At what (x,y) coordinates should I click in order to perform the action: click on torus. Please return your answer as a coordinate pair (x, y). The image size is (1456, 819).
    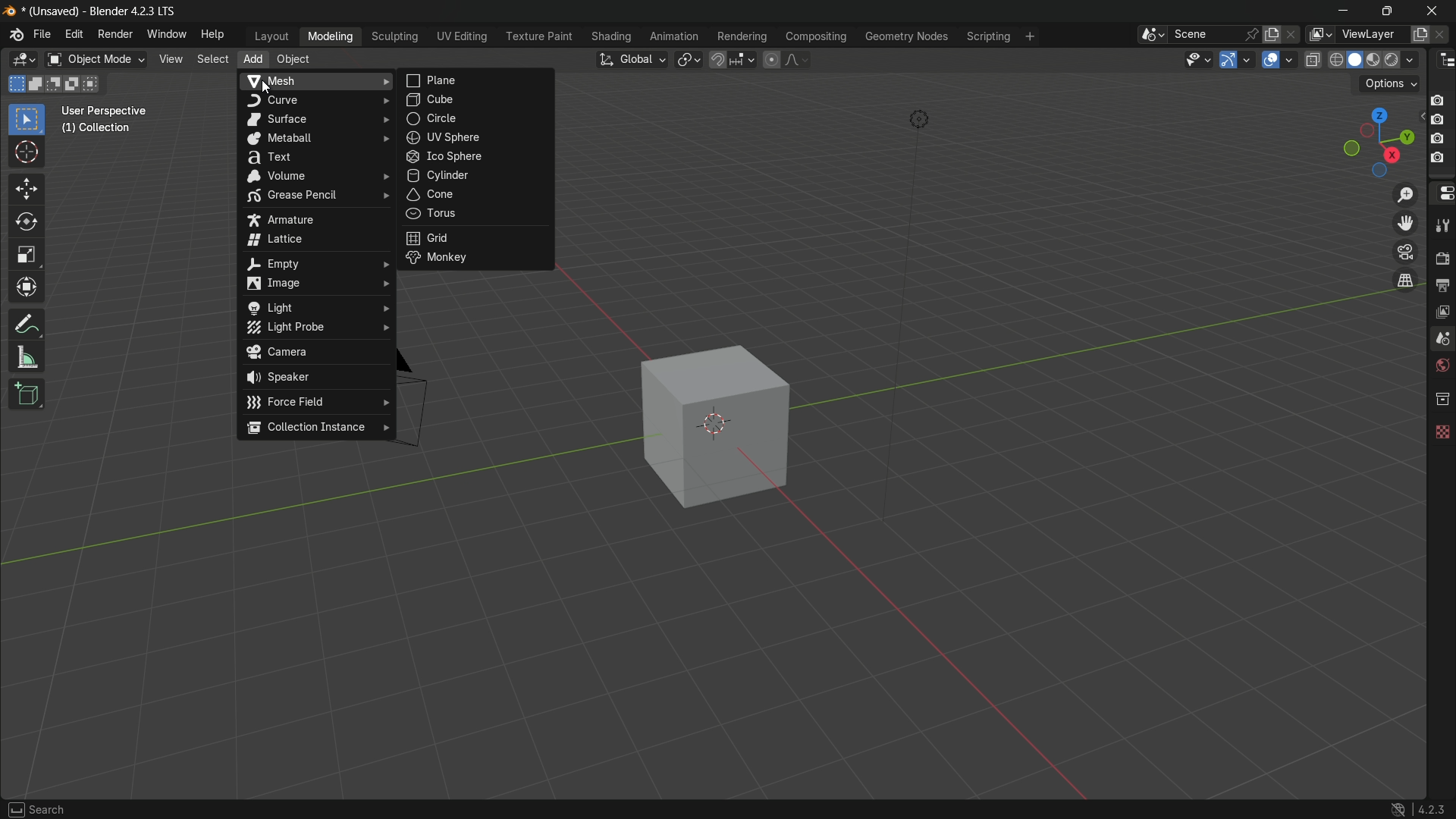
    Looking at the image, I should click on (477, 217).